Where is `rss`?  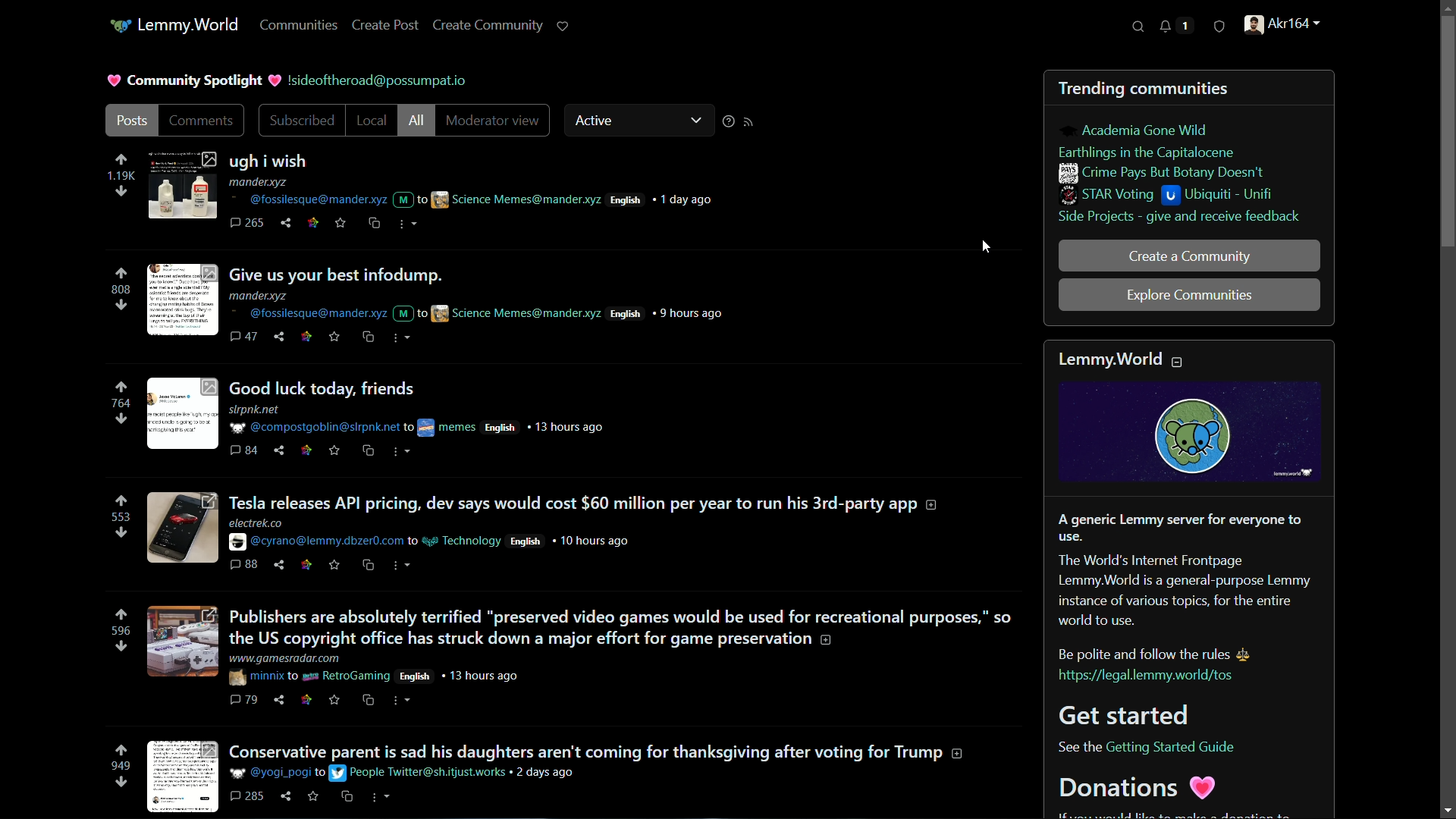 rss is located at coordinates (749, 121).